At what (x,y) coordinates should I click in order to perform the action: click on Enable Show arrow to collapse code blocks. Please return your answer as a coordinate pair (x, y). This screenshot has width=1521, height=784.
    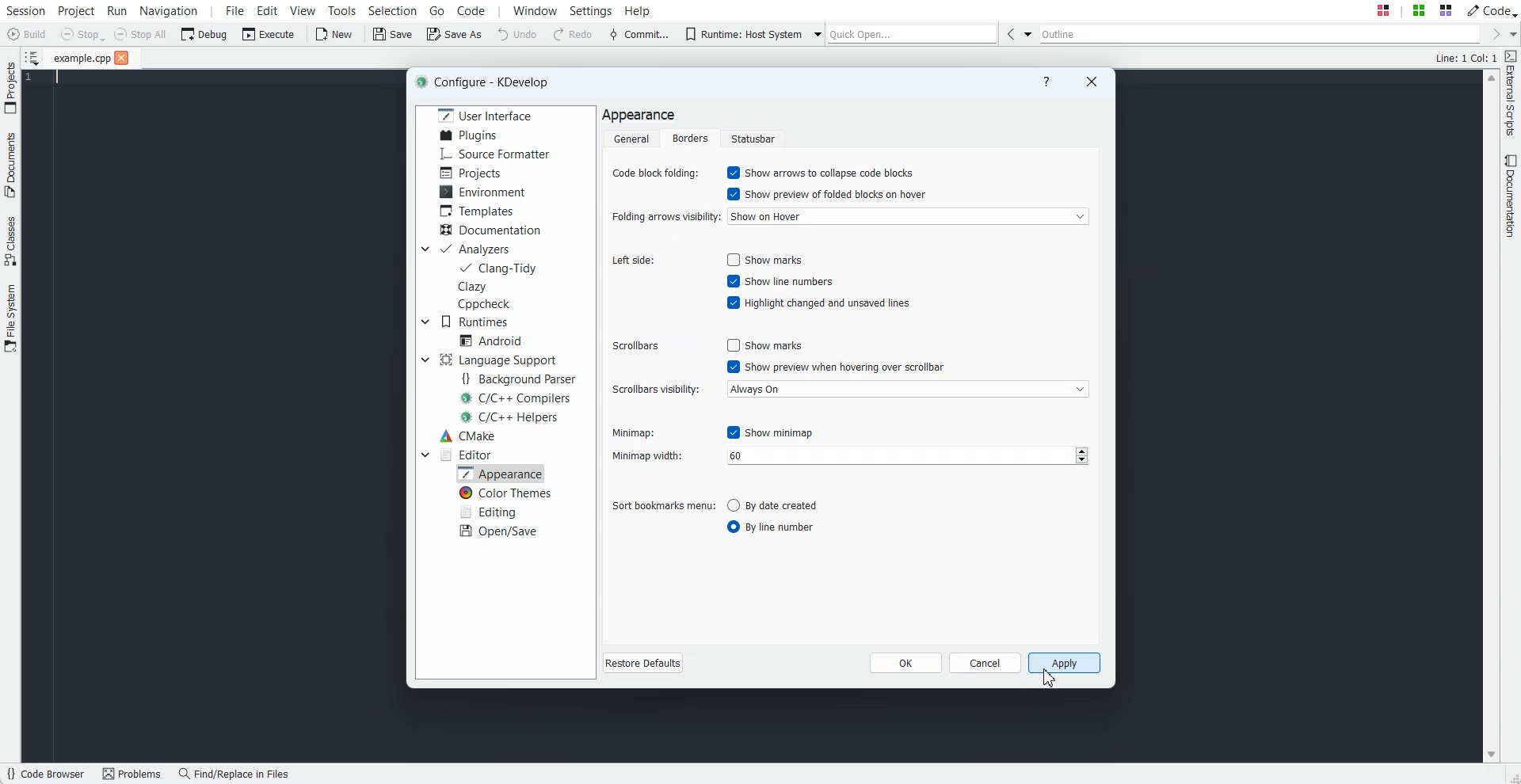
    Looking at the image, I should click on (824, 172).